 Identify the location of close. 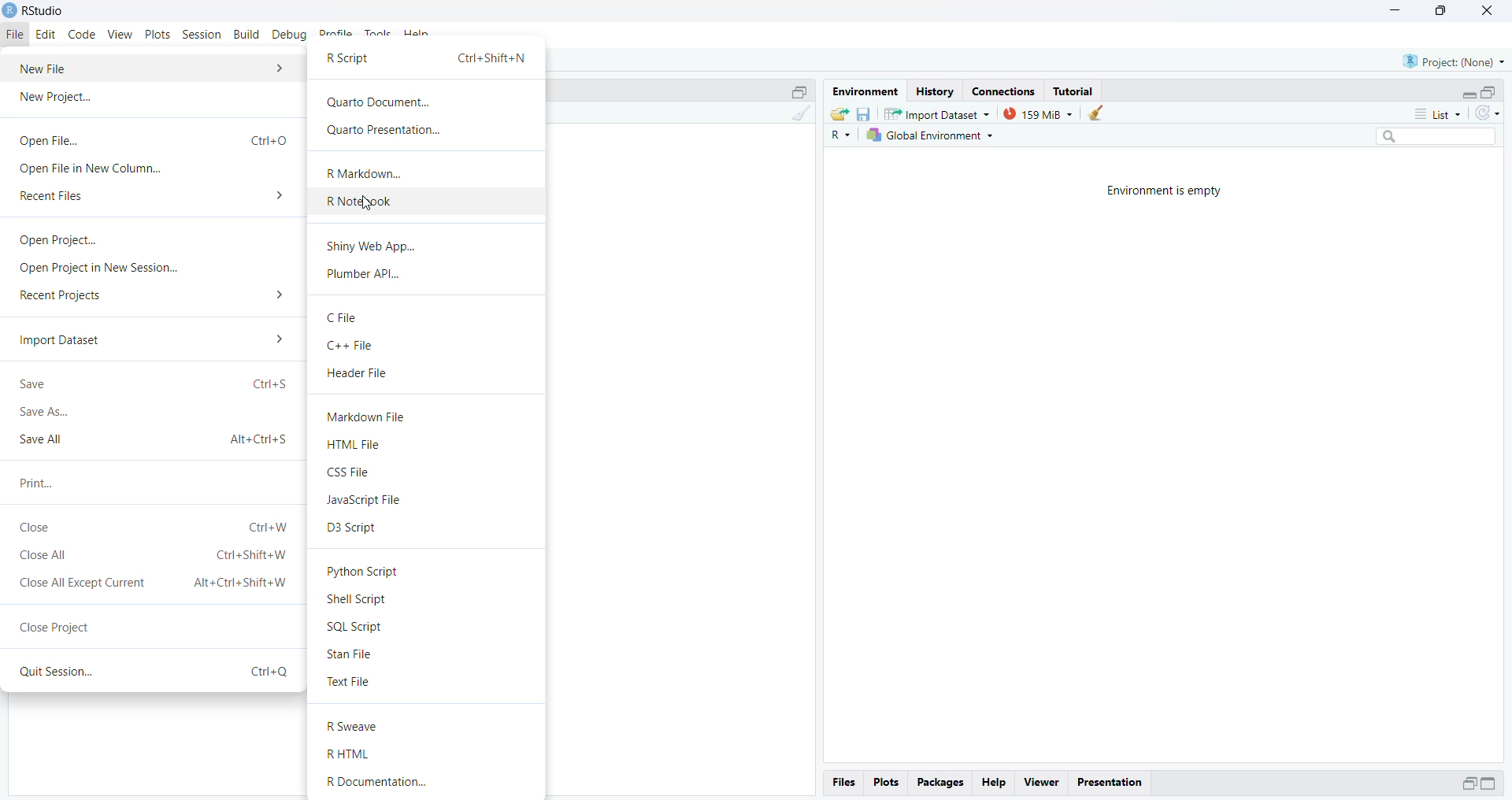
(1484, 10).